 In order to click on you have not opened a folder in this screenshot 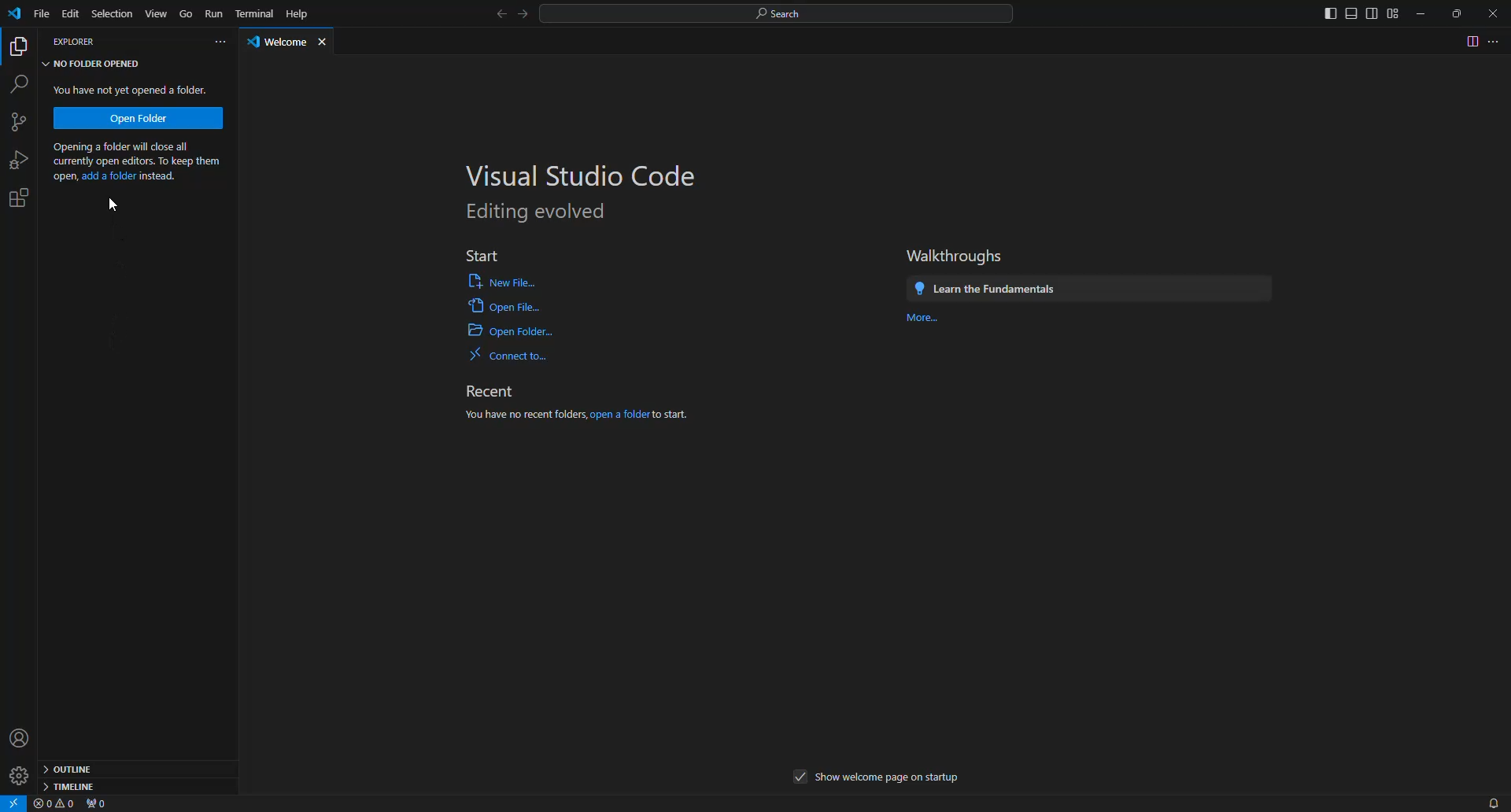, I will do `click(135, 90)`.